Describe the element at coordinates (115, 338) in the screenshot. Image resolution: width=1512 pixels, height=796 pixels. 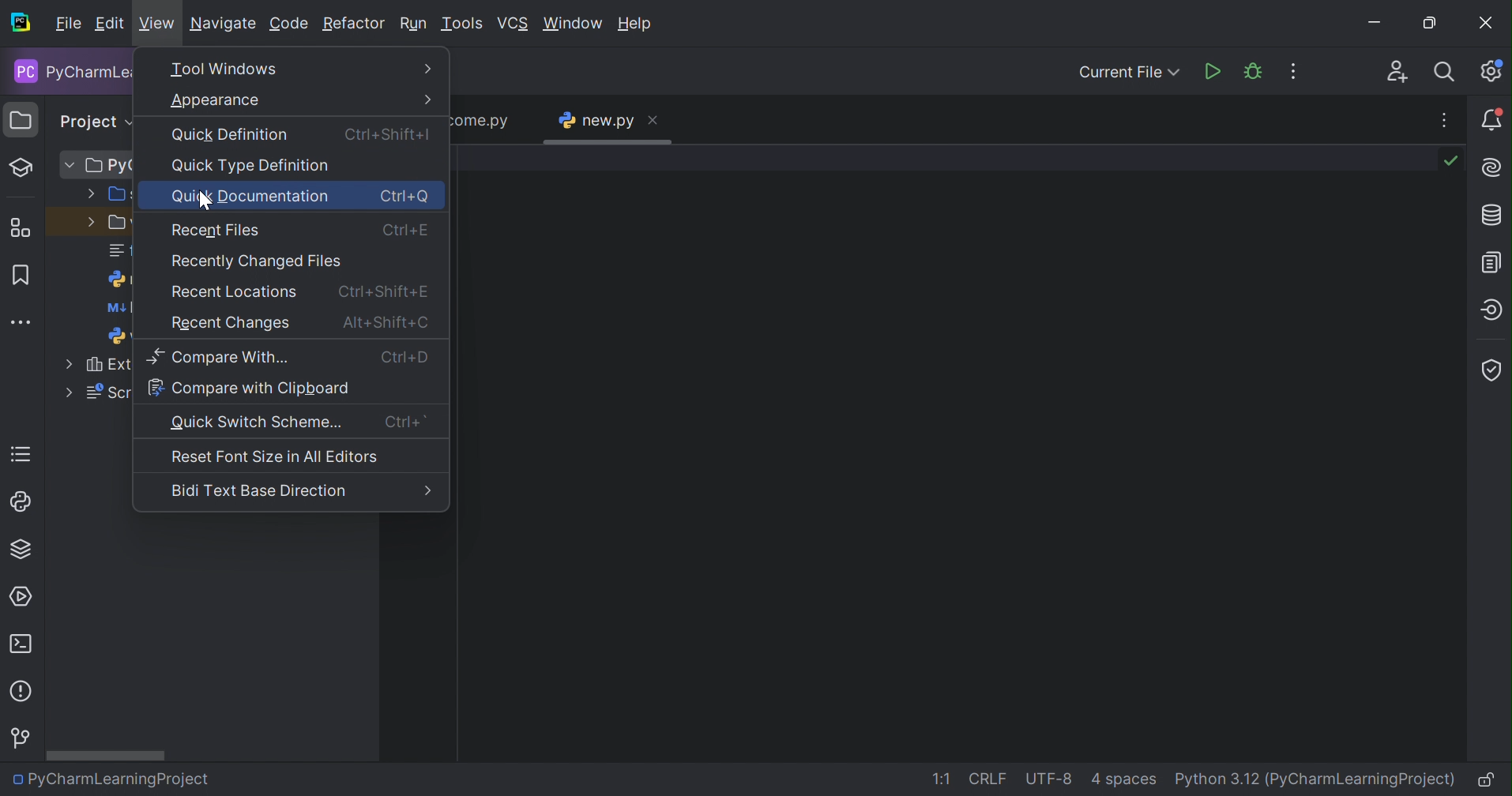
I see `welcome.py` at that location.